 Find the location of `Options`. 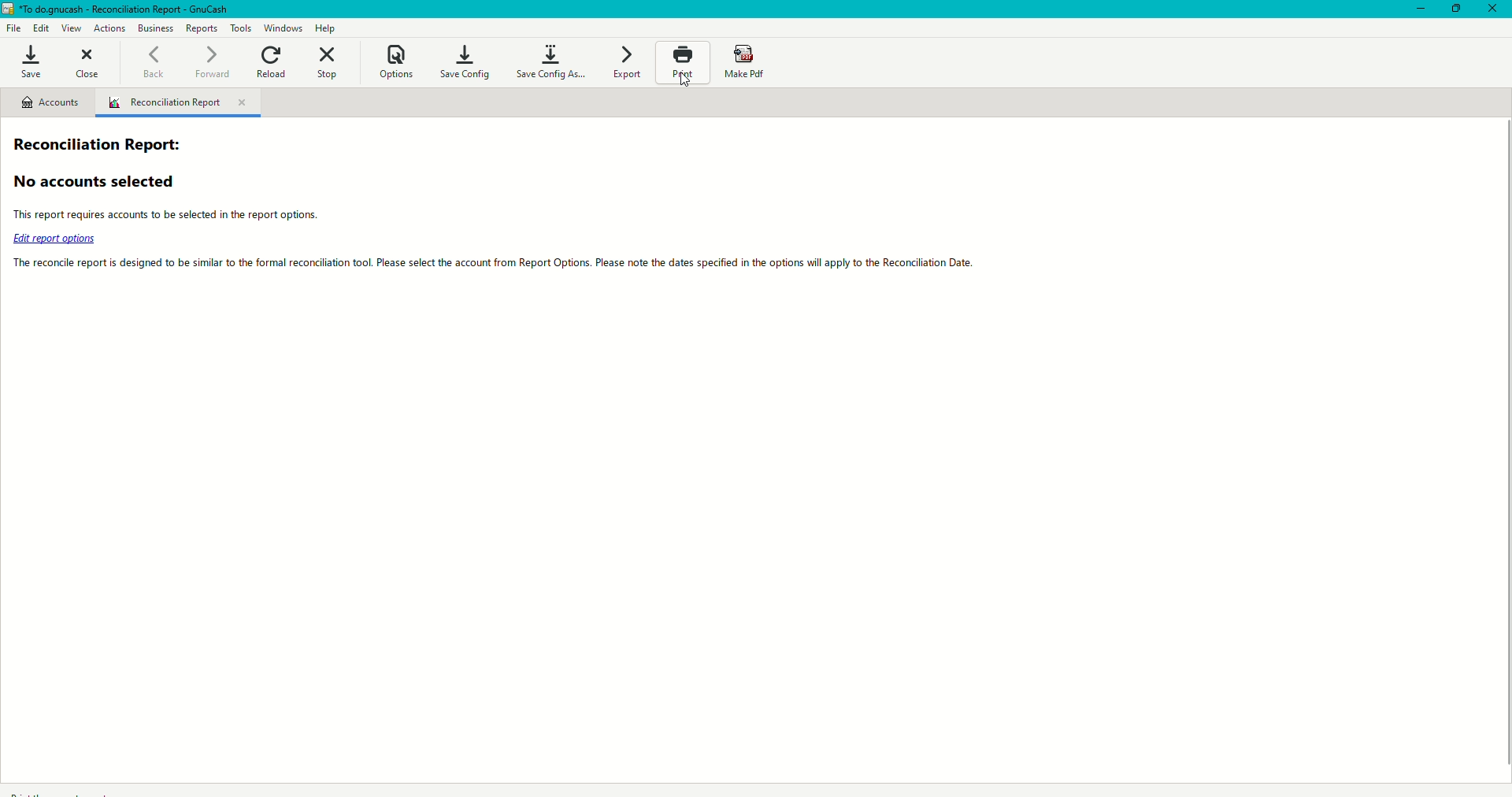

Options is located at coordinates (395, 61).